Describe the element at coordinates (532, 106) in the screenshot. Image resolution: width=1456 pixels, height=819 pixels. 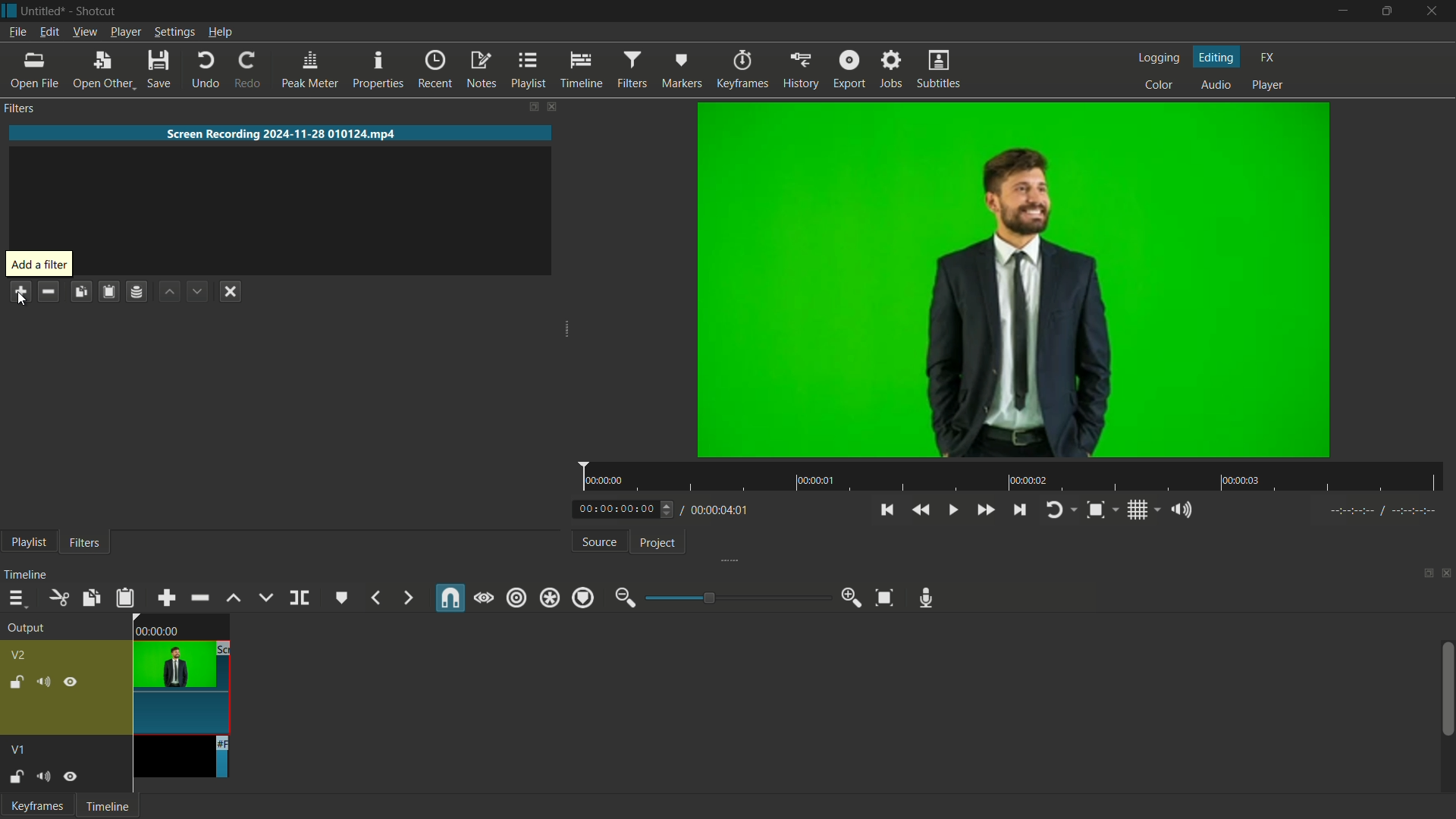
I see `change layout` at that location.